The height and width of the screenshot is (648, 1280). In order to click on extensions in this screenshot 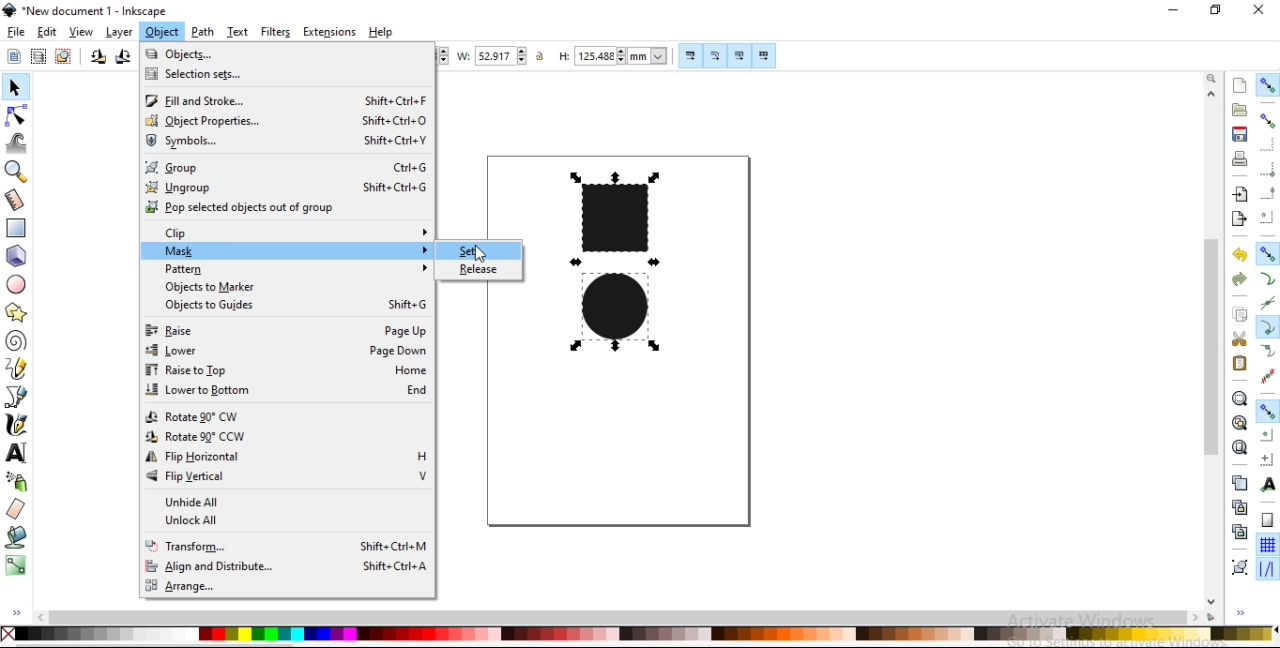, I will do `click(329, 33)`.